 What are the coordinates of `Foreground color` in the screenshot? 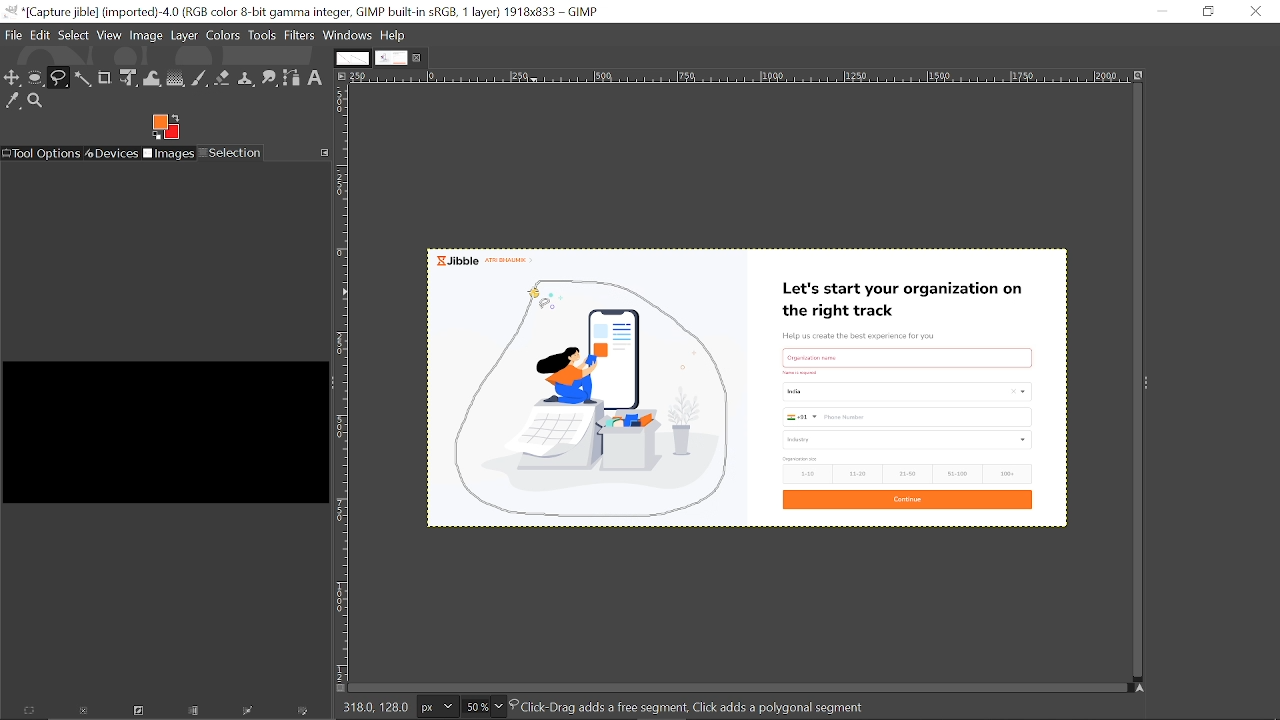 It's located at (167, 126).